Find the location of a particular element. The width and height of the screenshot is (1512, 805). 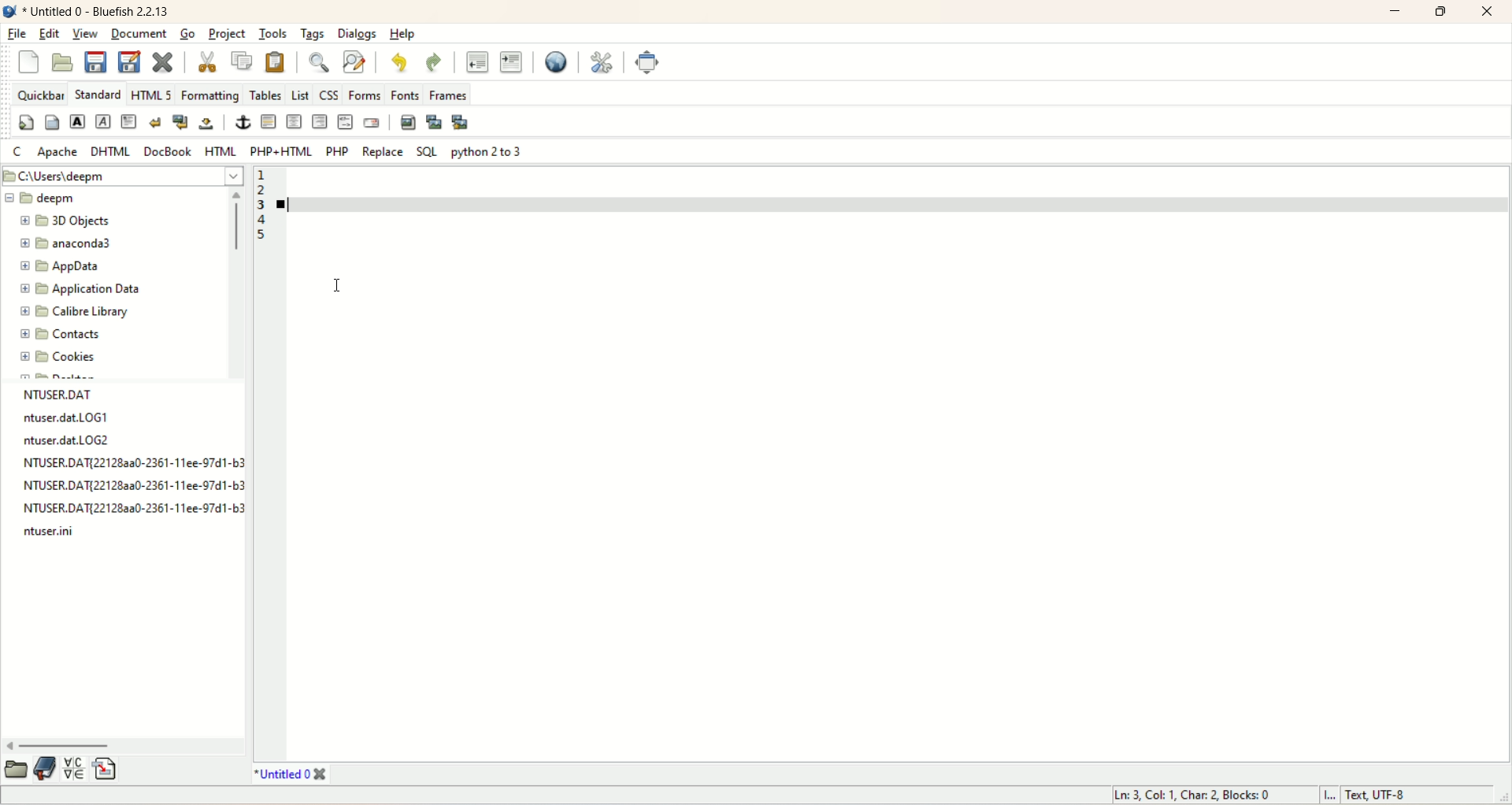

PHP is located at coordinates (335, 151).